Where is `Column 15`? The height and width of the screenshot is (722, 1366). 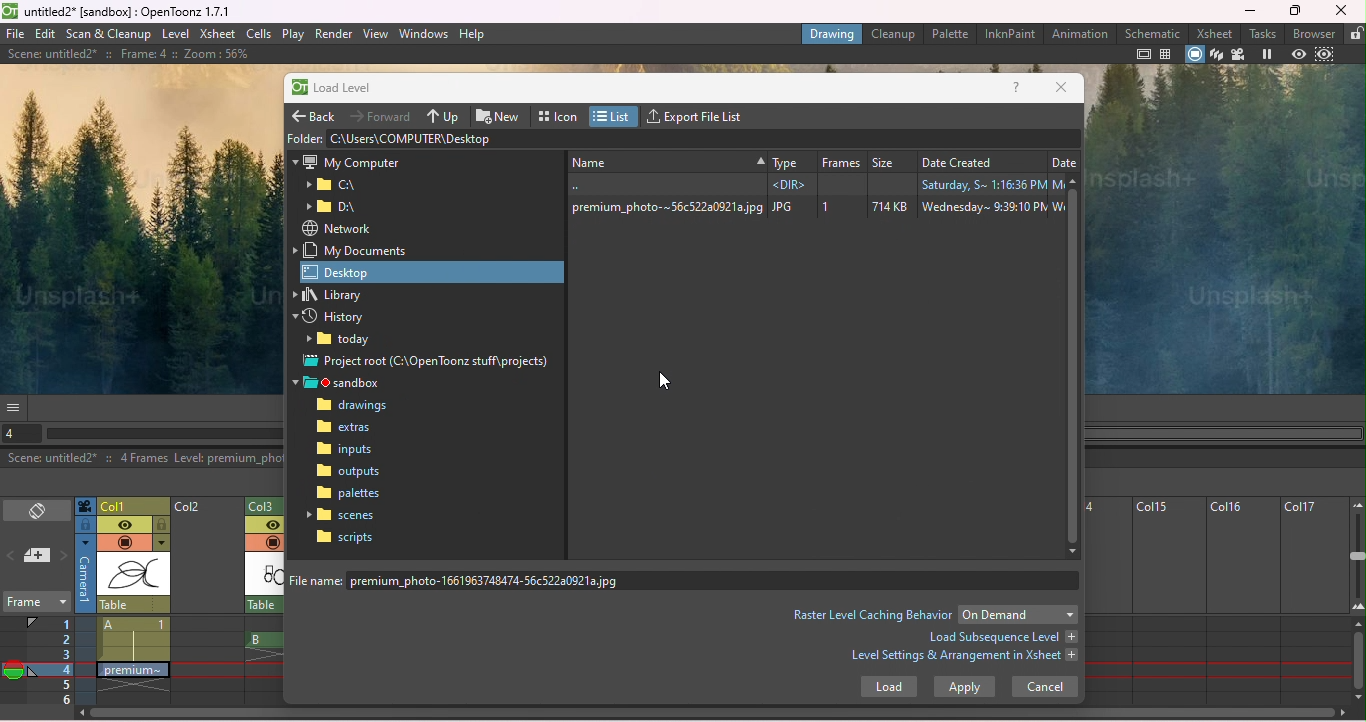
Column 15 is located at coordinates (1165, 601).